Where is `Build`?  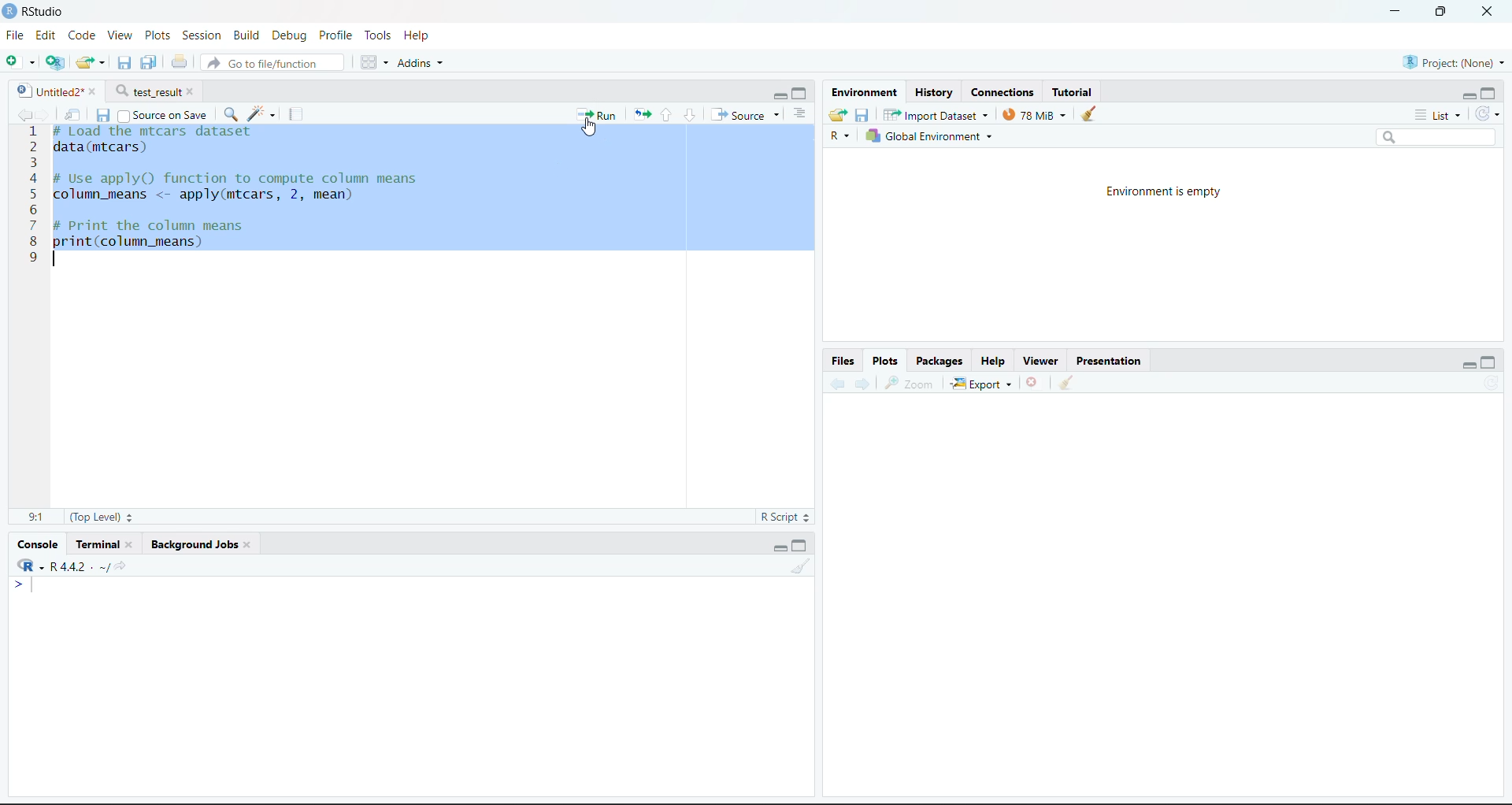 Build is located at coordinates (246, 34).